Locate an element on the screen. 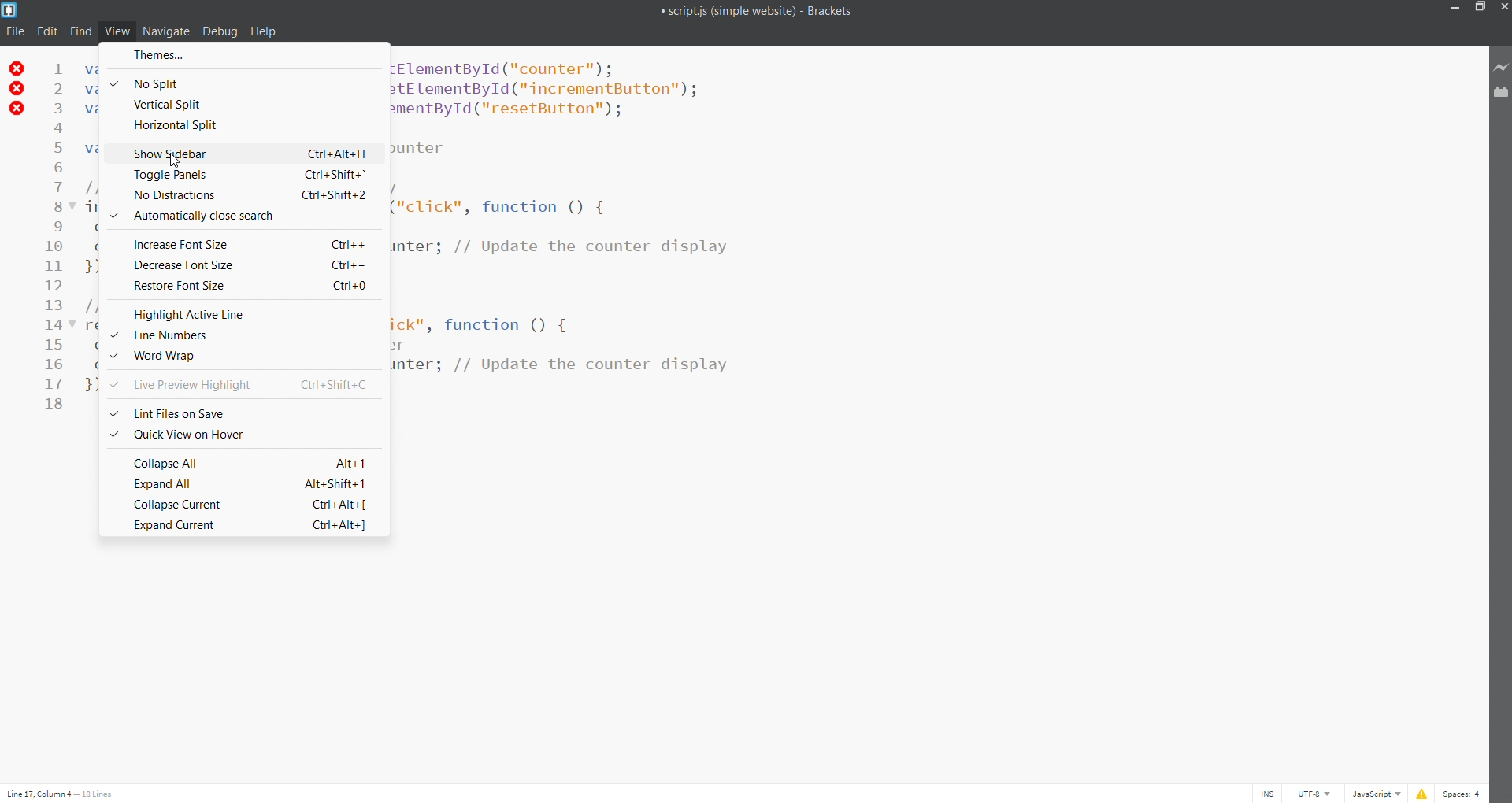 Image resolution: width=1512 pixels, height=803 pixels. collapse current is located at coordinates (254, 502).